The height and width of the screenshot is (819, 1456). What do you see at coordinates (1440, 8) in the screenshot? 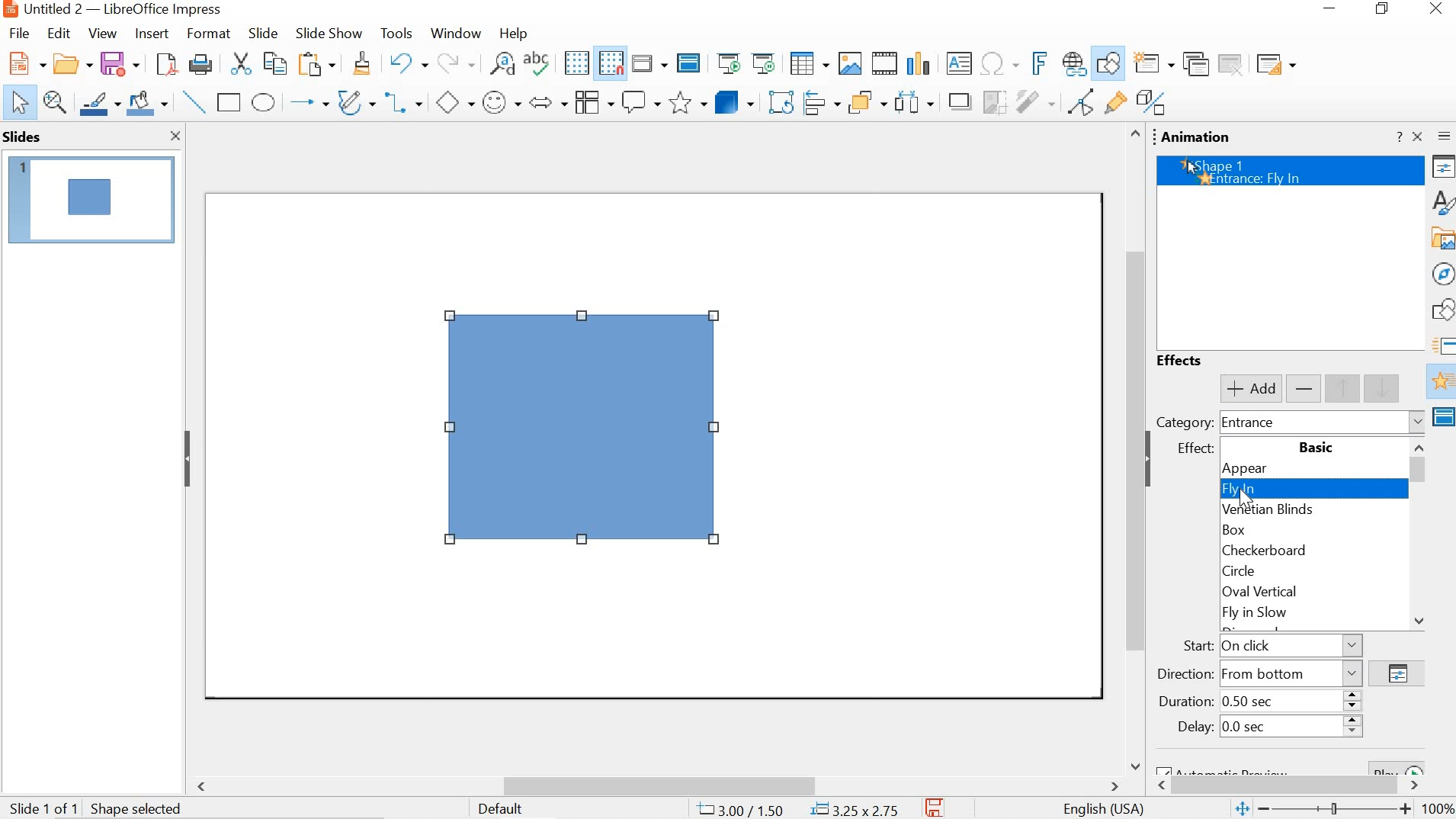
I see `close` at bounding box center [1440, 8].